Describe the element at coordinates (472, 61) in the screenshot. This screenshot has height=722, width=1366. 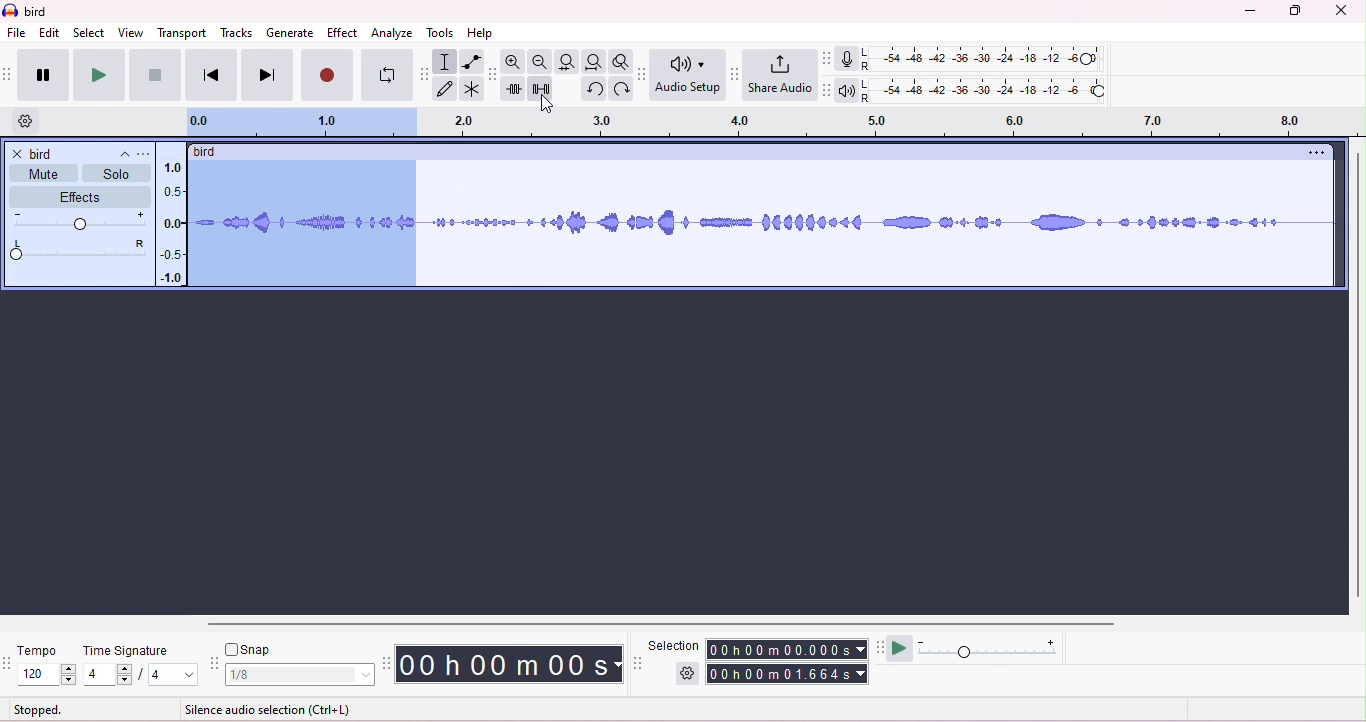
I see `envelop` at that location.